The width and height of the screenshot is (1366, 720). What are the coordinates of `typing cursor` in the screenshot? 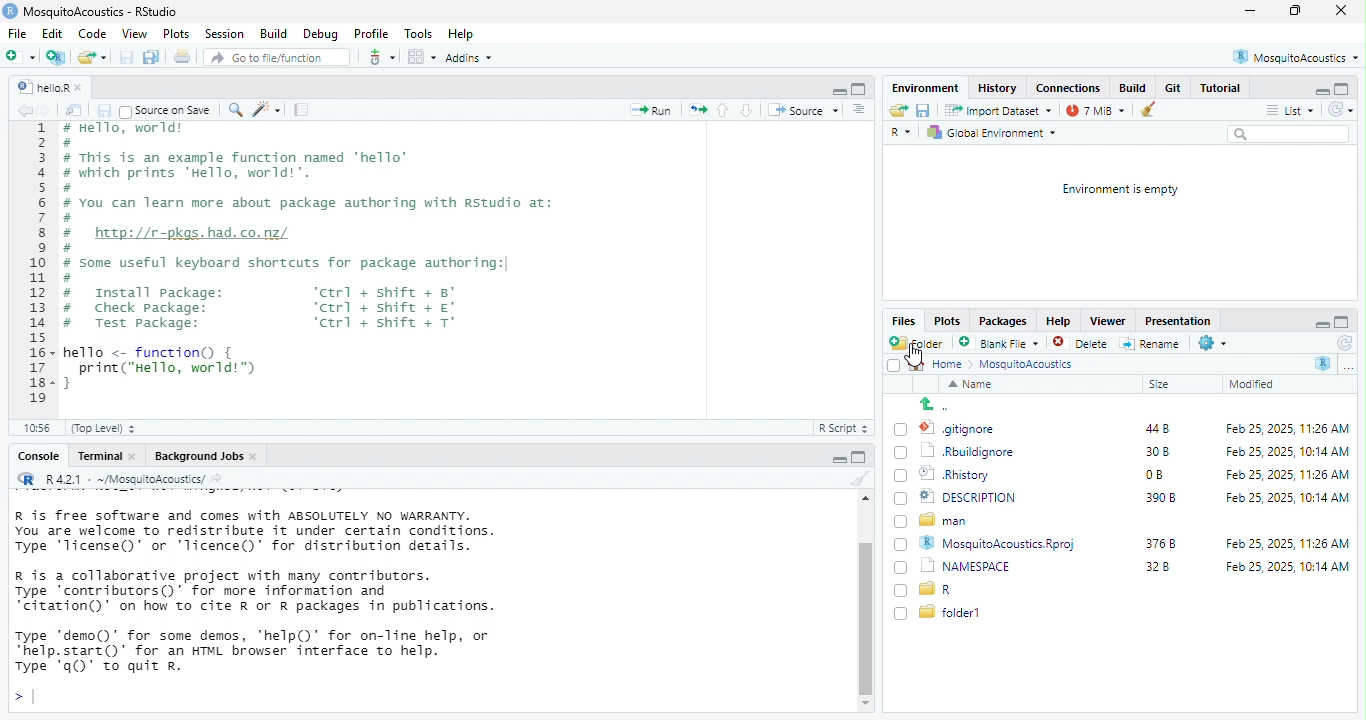 It's located at (30, 696).